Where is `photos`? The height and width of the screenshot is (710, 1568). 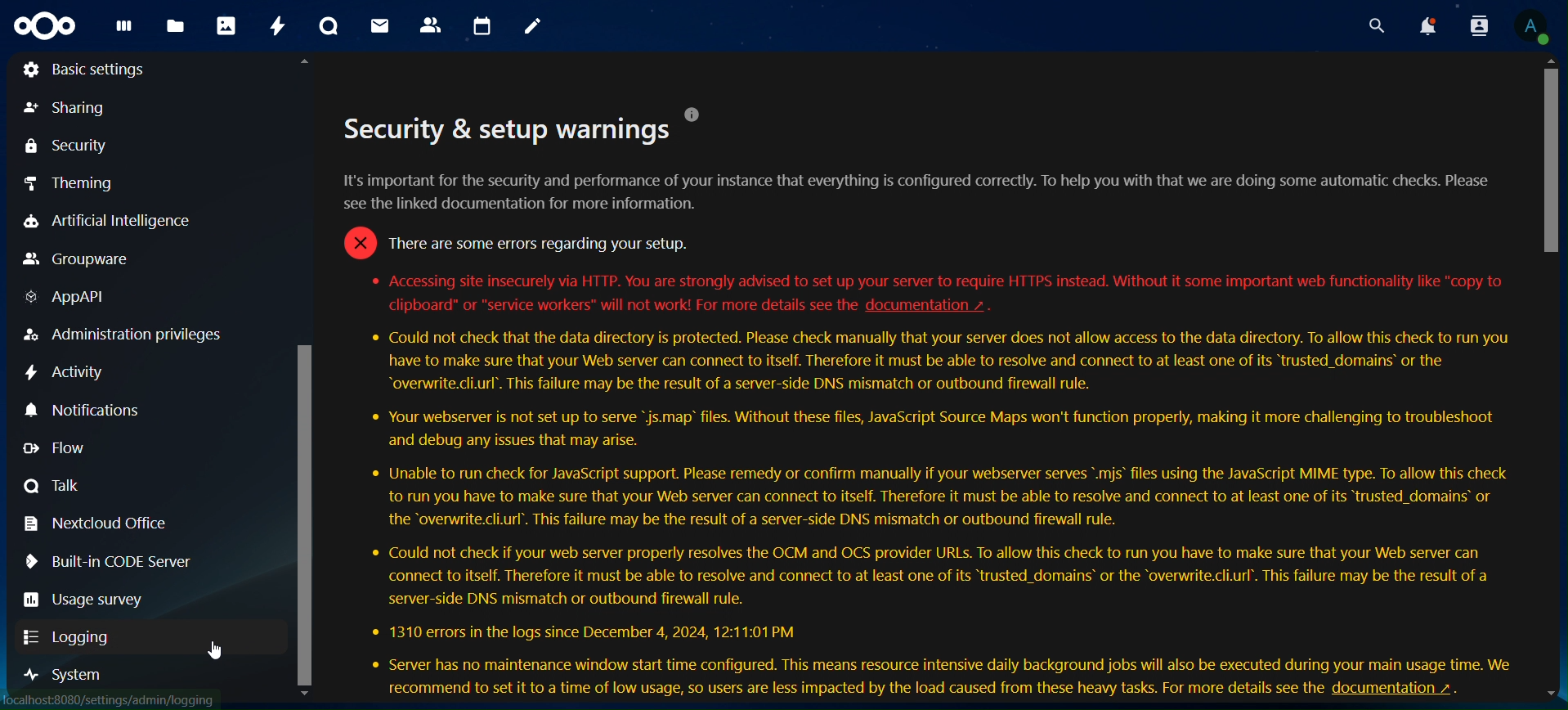 photos is located at coordinates (225, 28).